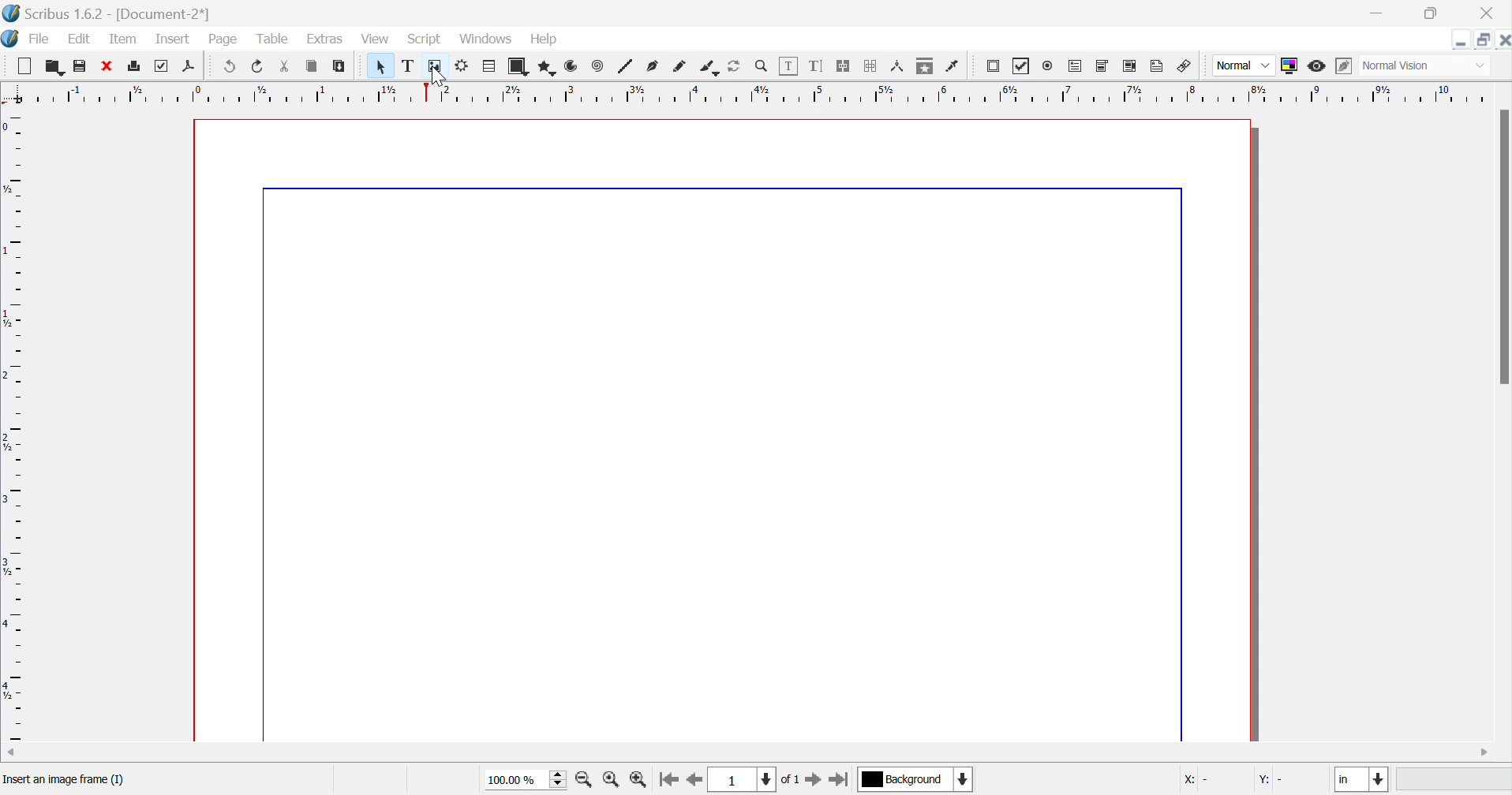 The width and height of the screenshot is (1512, 795). What do you see at coordinates (546, 38) in the screenshot?
I see `help` at bounding box center [546, 38].